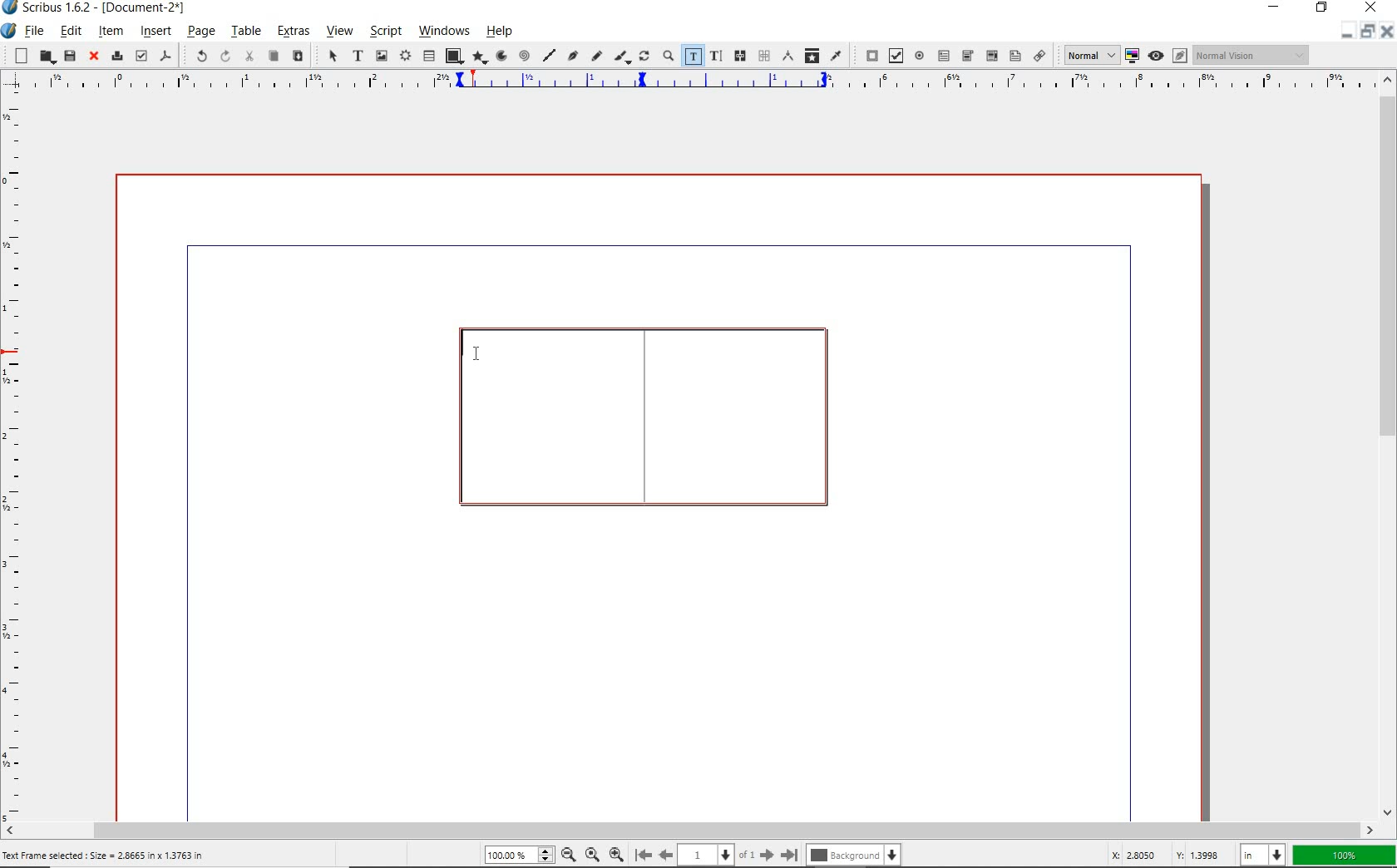  What do you see at coordinates (666, 854) in the screenshot?
I see `go back` at bounding box center [666, 854].